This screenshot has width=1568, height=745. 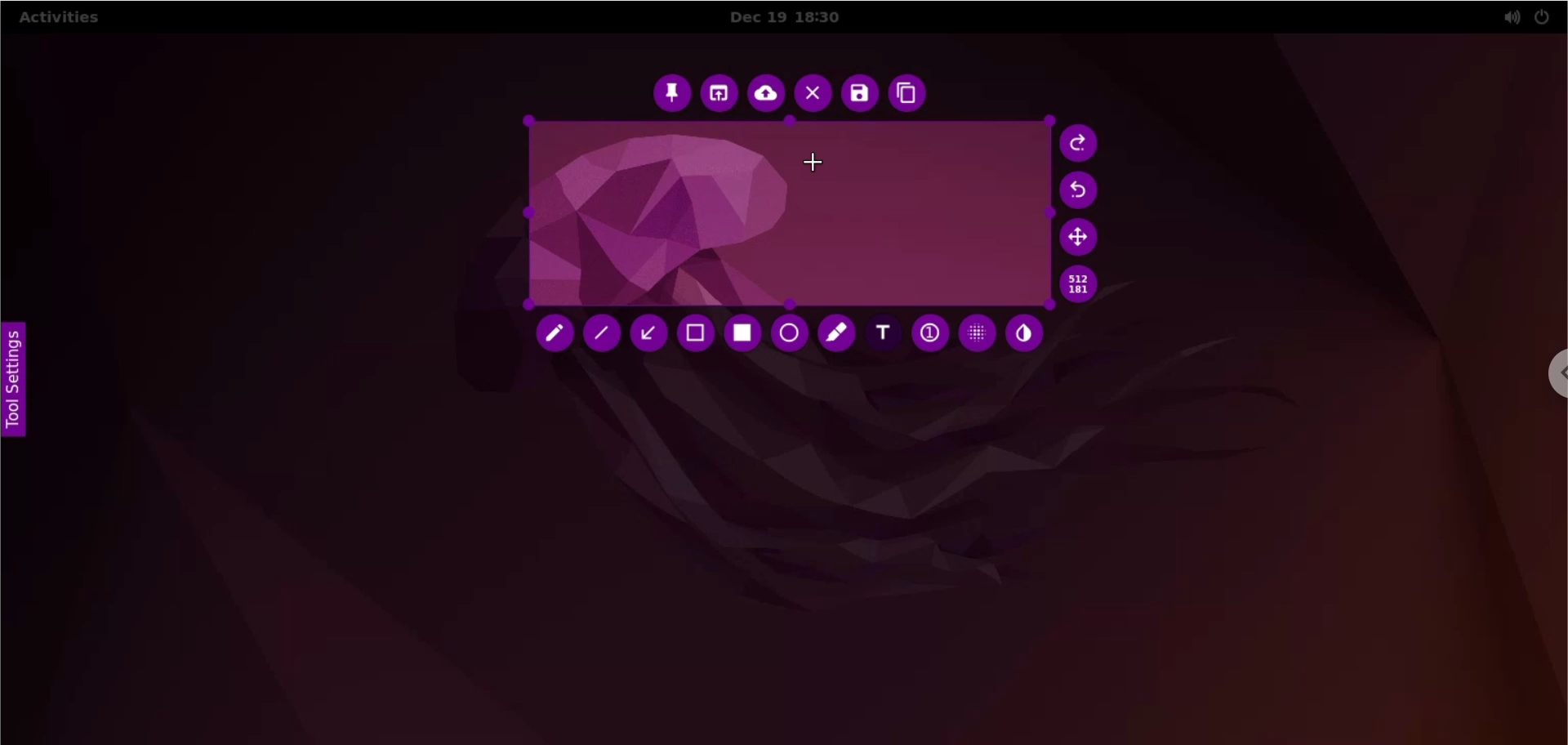 I want to click on arrow tool, so click(x=653, y=336).